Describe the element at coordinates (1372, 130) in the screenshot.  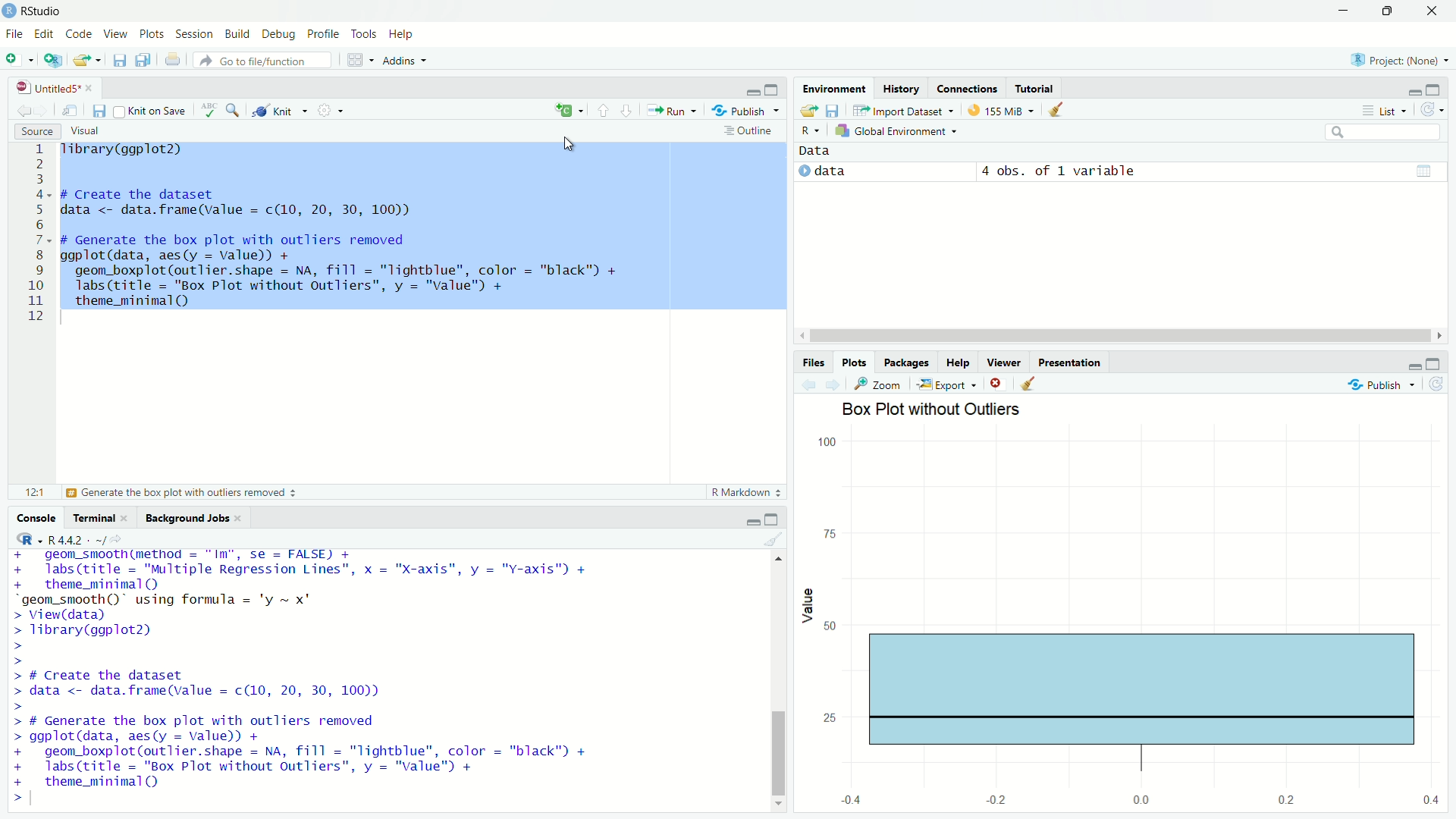
I see `search` at that location.